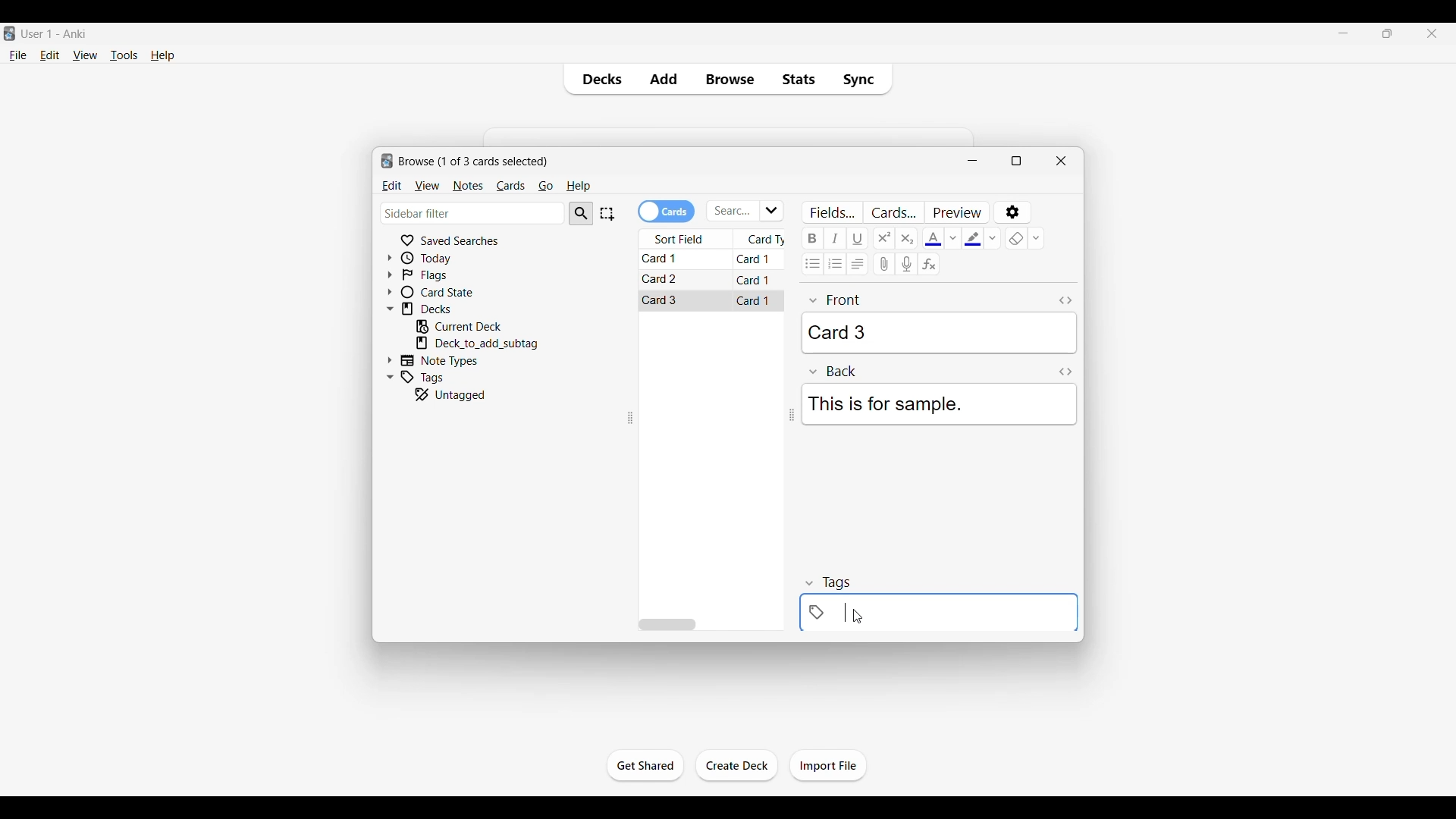 The height and width of the screenshot is (819, 1456). Describe the element at coordinates (939, 613) in the screenshot. I see `Click to add tag` at that location.